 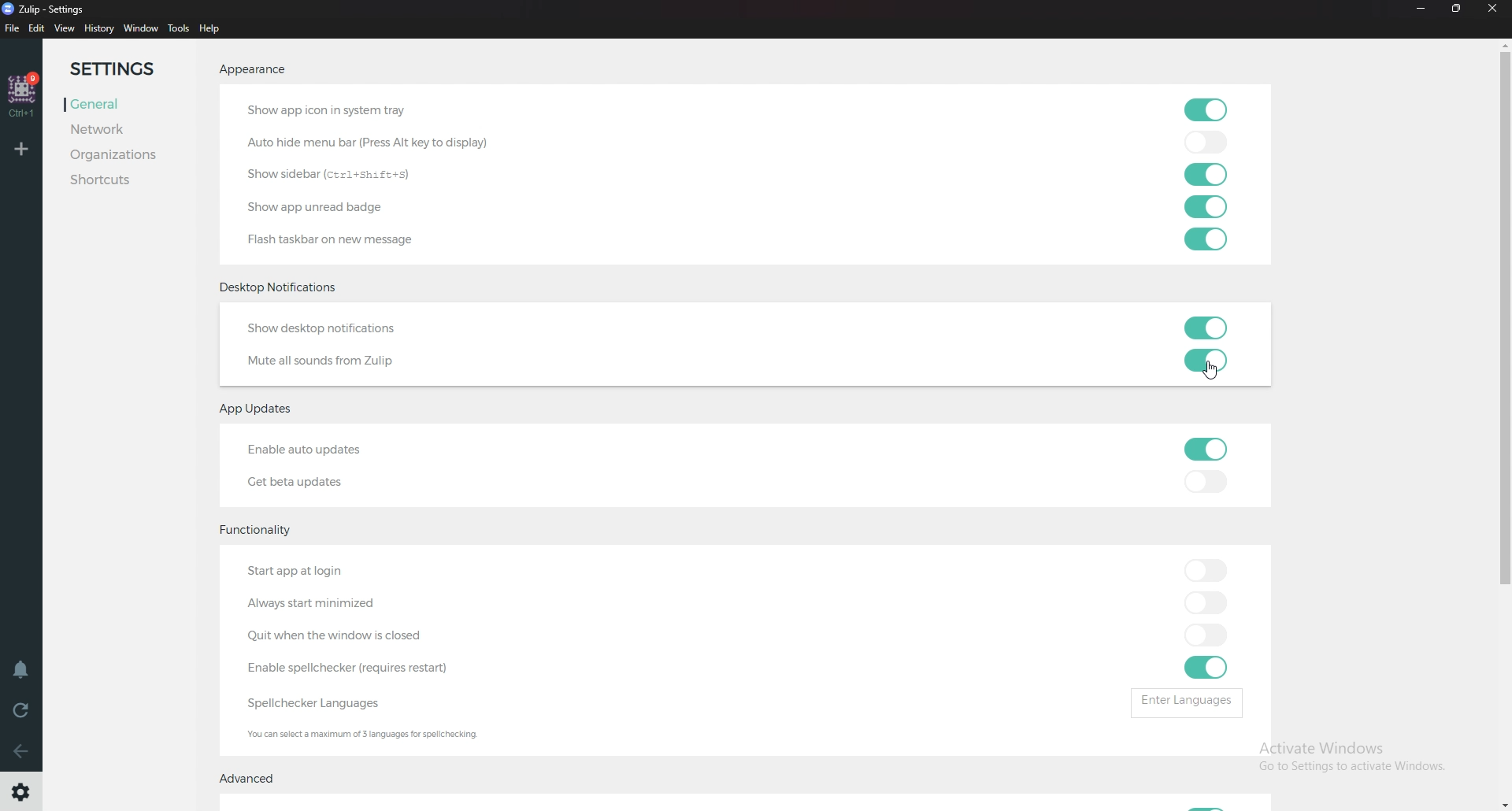 I want to click on Auto hide menu bar, so click(x=378, y=139).